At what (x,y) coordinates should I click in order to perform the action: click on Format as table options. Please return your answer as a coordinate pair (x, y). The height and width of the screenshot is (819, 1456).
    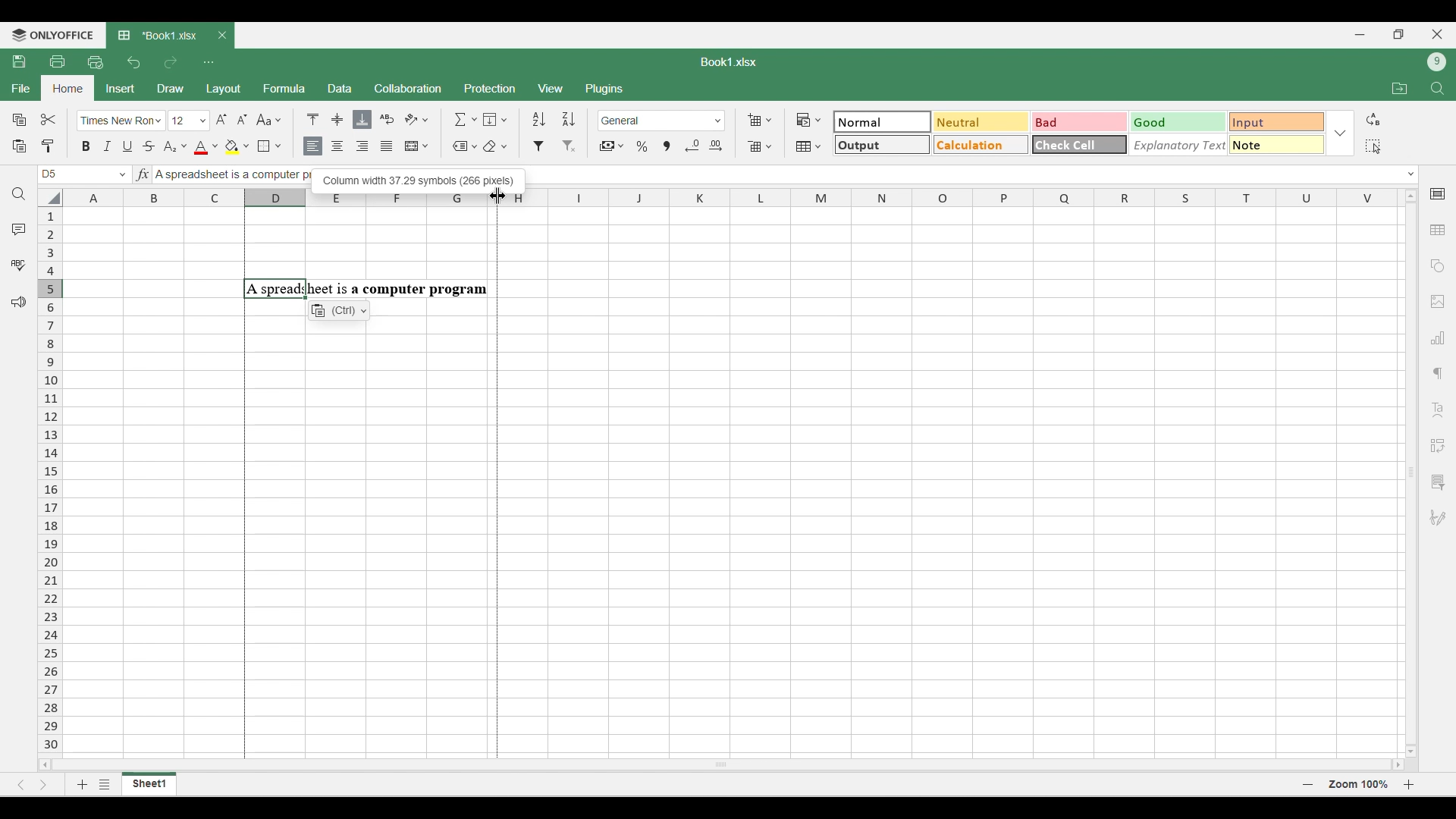
    Looking at the image, I should click on (808, 146).